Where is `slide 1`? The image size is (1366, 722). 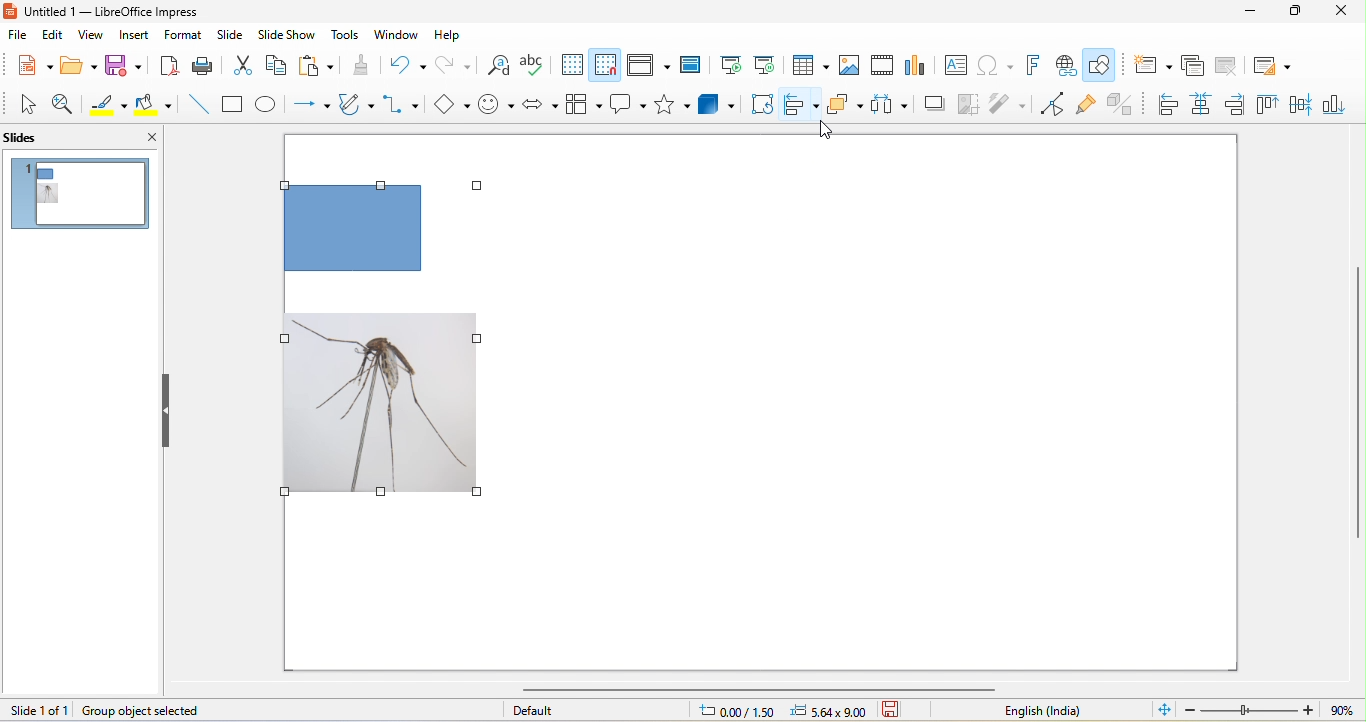
slide 1 is located at coordinates (82, 195).